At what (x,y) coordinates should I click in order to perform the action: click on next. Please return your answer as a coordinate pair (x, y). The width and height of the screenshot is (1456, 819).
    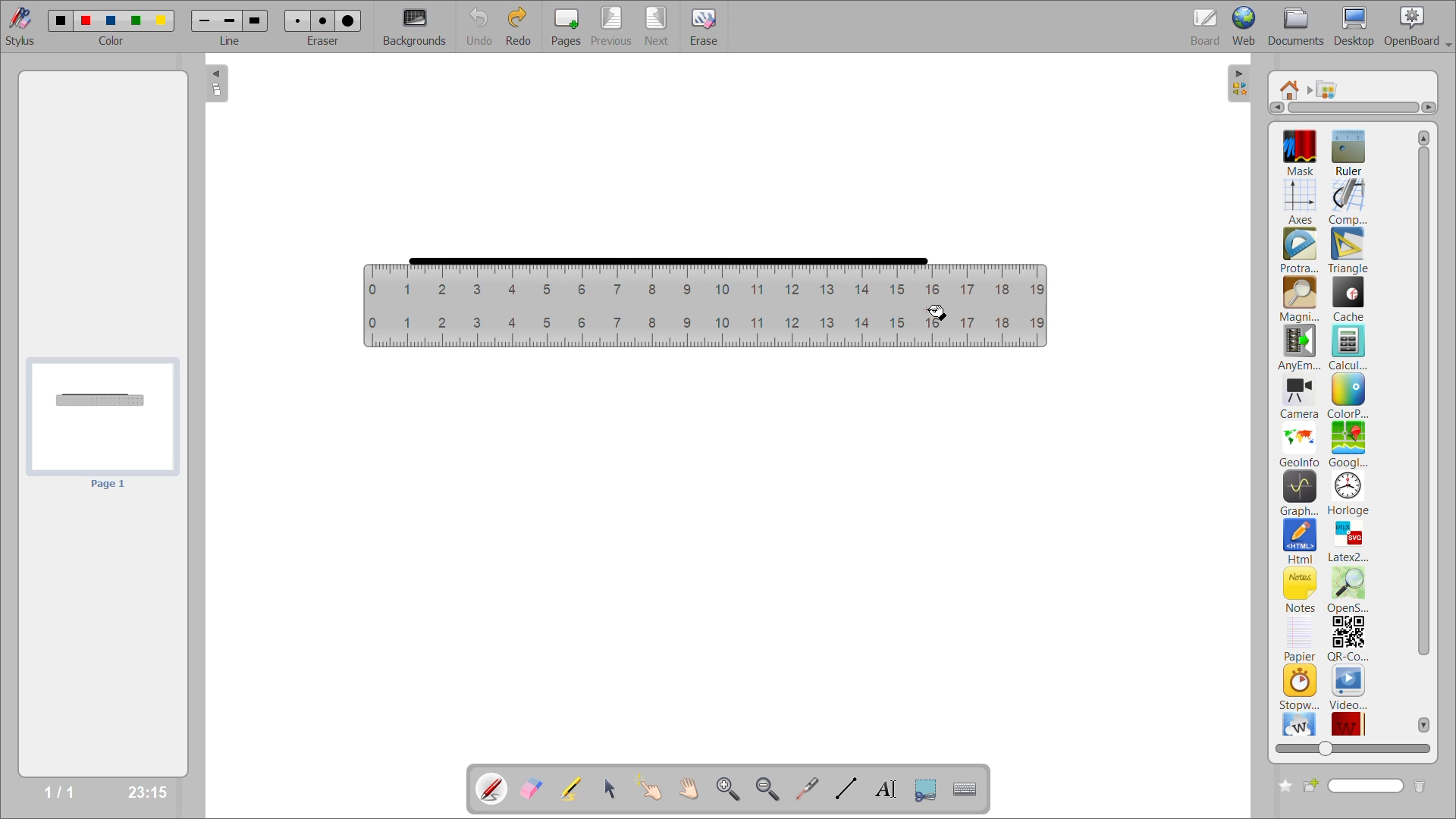
    Looking at the image, I should click on (659, 24).